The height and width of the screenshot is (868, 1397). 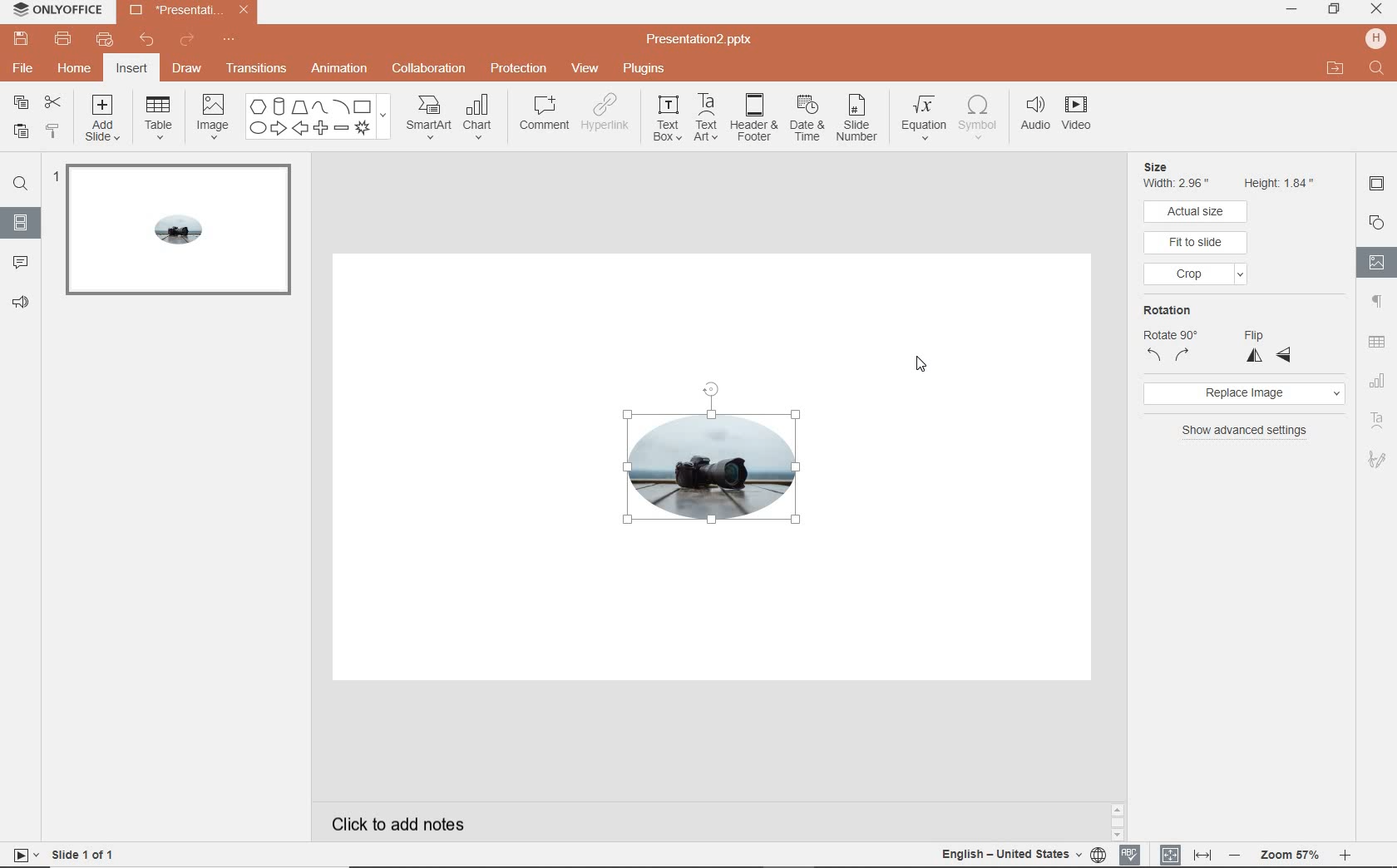 I want to click on shapes, so click(x=316, y=117).